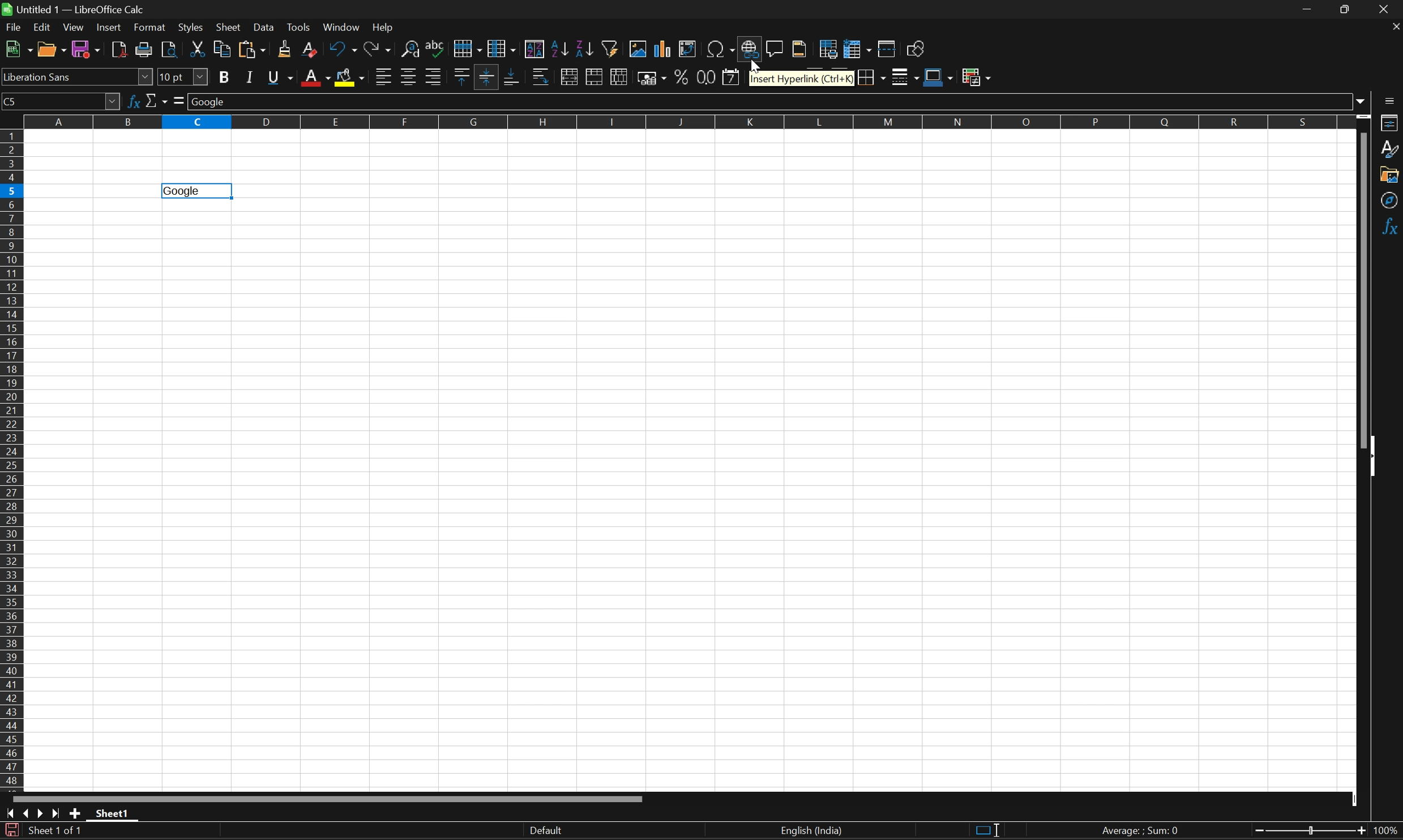 The image size is (1403, 840). I want to click on Edit, so click(45, 28).